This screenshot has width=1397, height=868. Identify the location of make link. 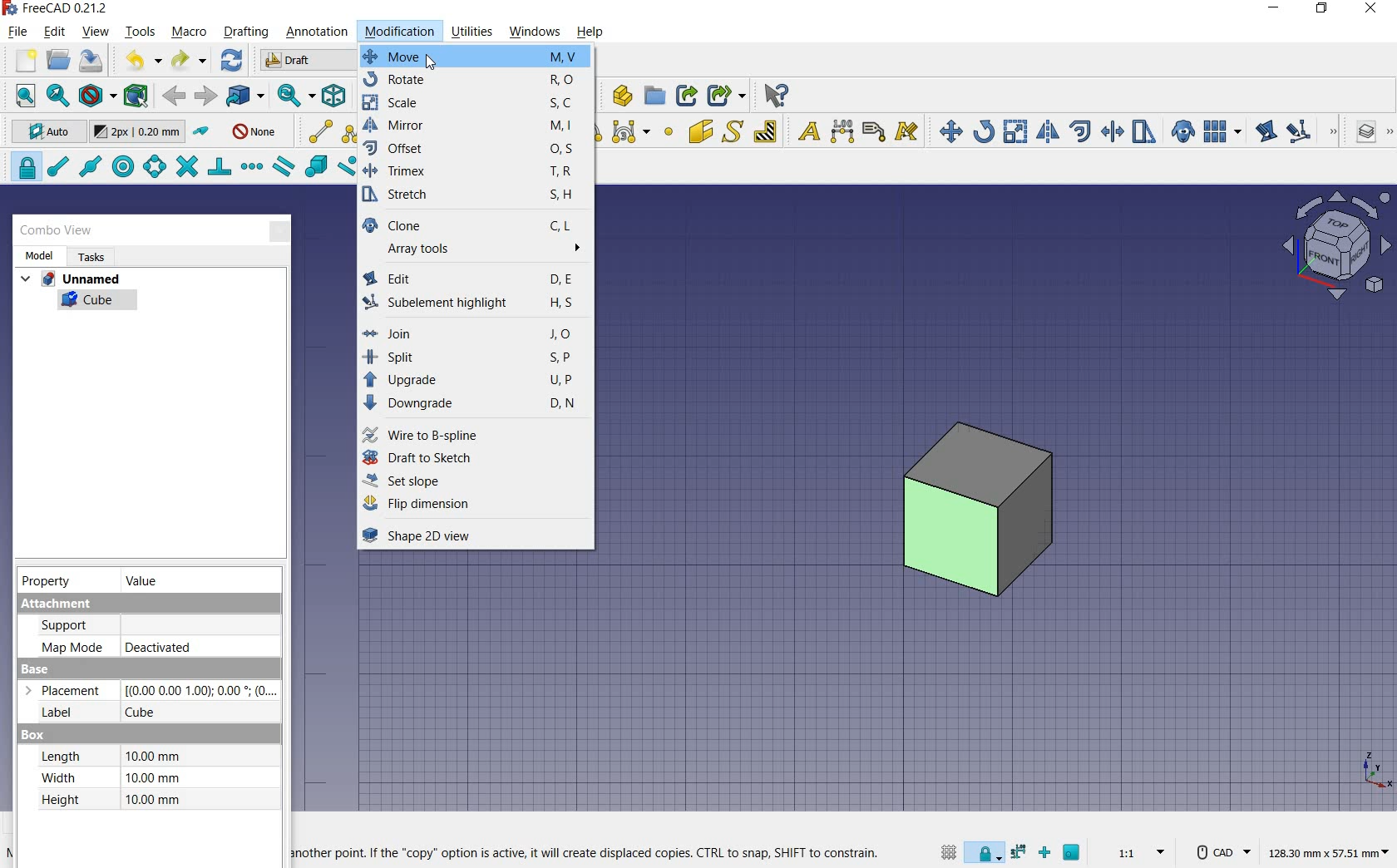
(687, 95).